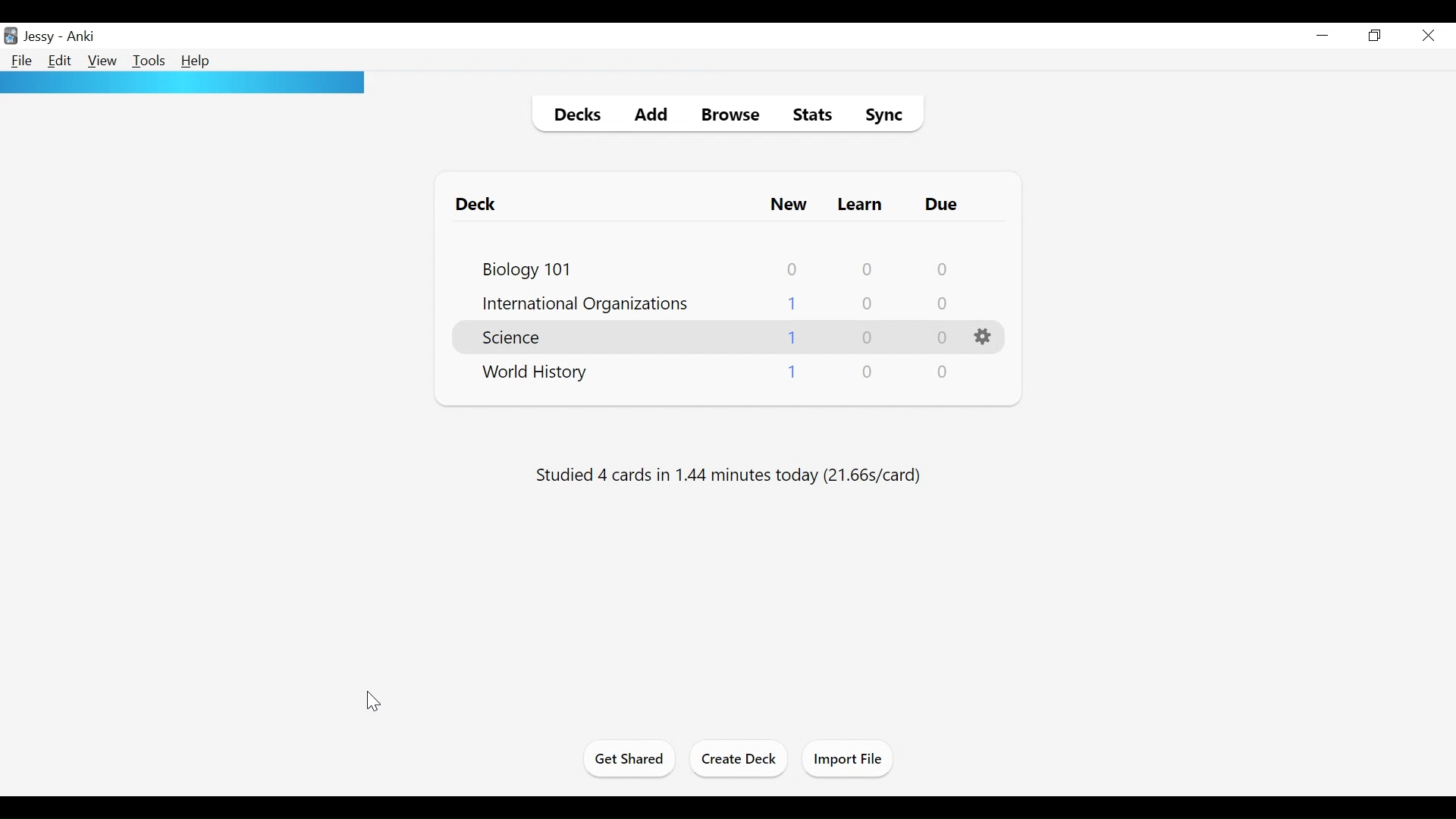  What do you see at coordinates (102, 60) in the screenshot?
I see `View` at bounding box center [102, 60].